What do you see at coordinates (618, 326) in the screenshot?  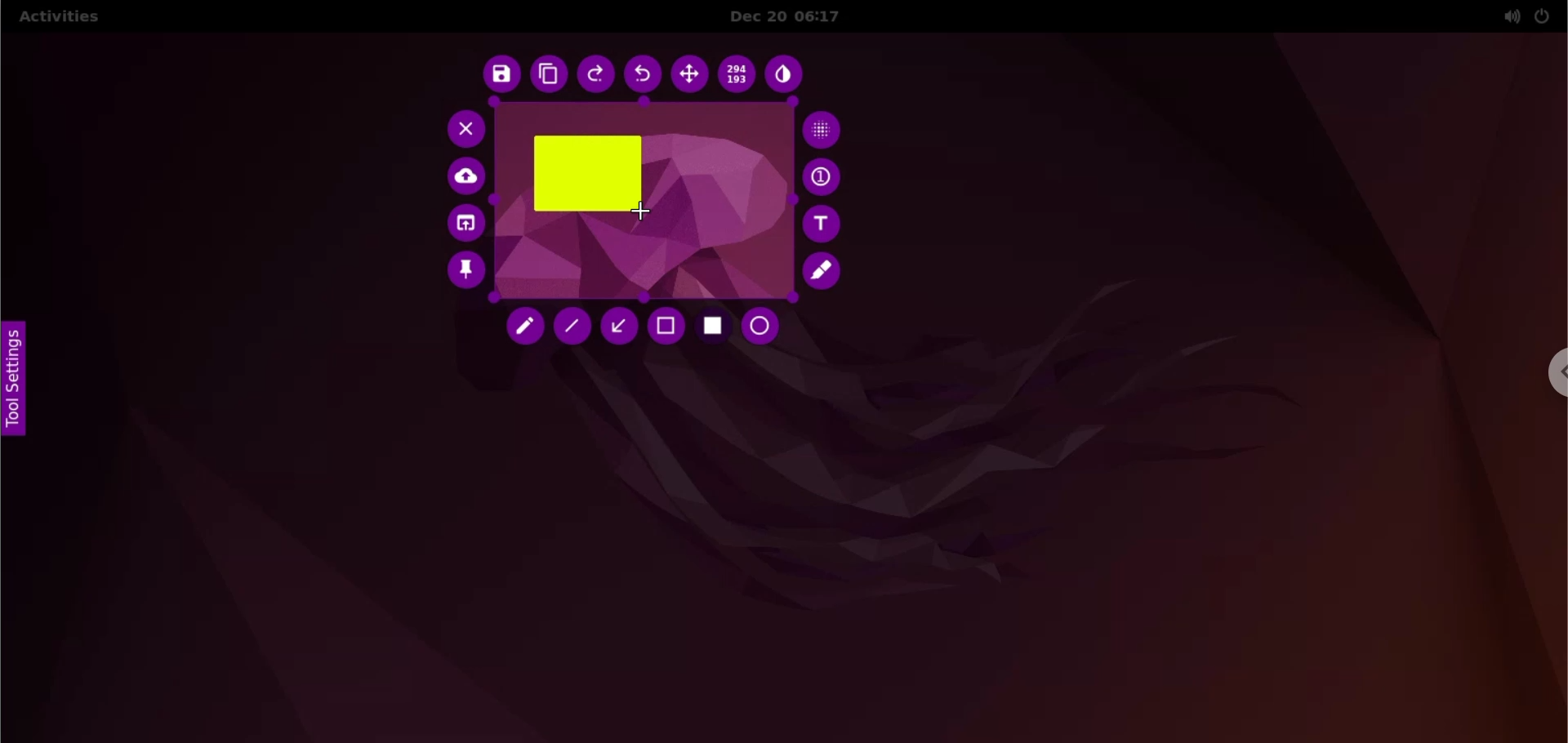 I see `arrow tool` at bounding box center [618, 326].